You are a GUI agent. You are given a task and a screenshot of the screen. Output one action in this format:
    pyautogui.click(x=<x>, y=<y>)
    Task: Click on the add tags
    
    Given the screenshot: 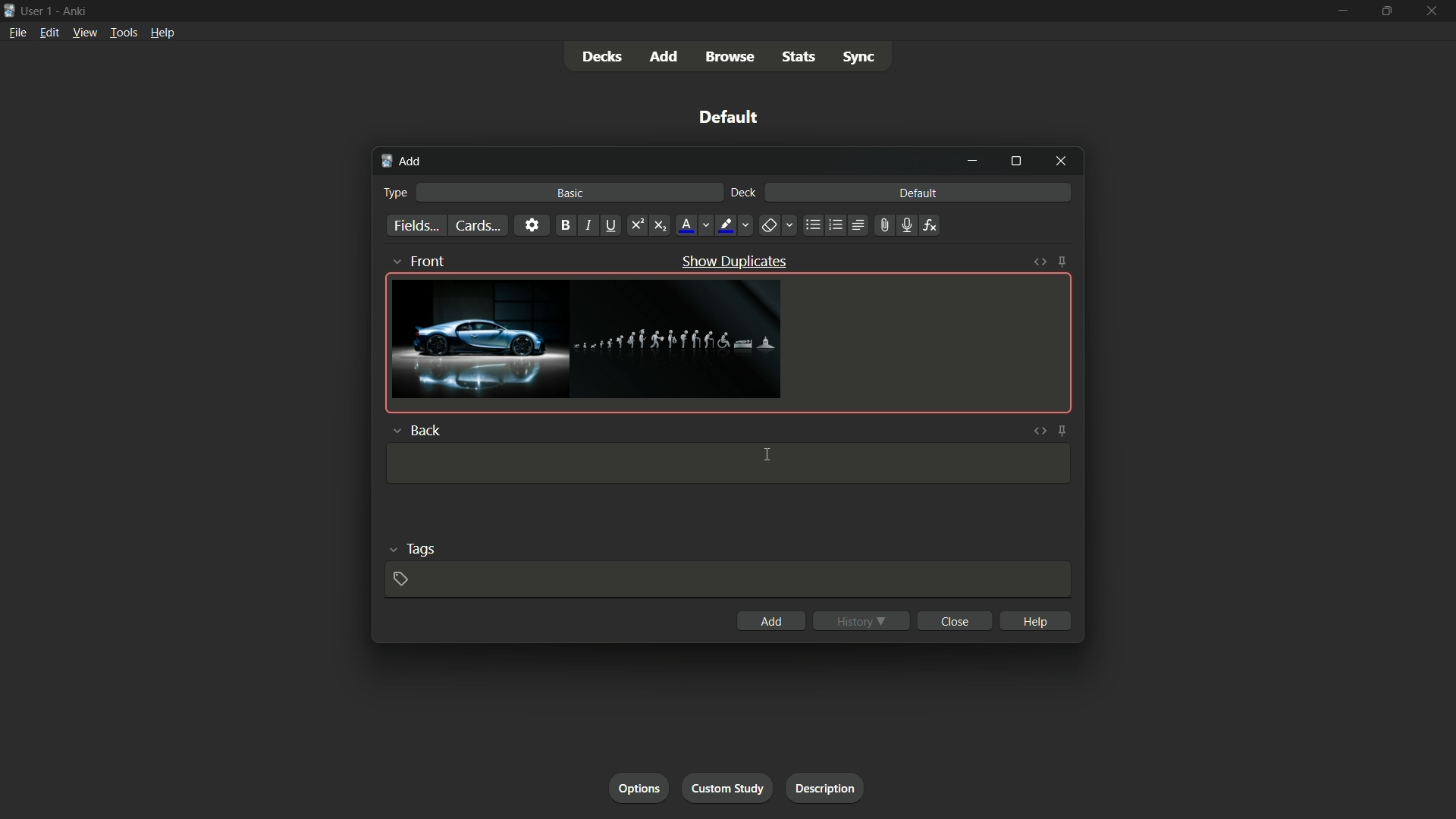 What is the action you would take?
    pyautogui.click(x=403, y=580)
    